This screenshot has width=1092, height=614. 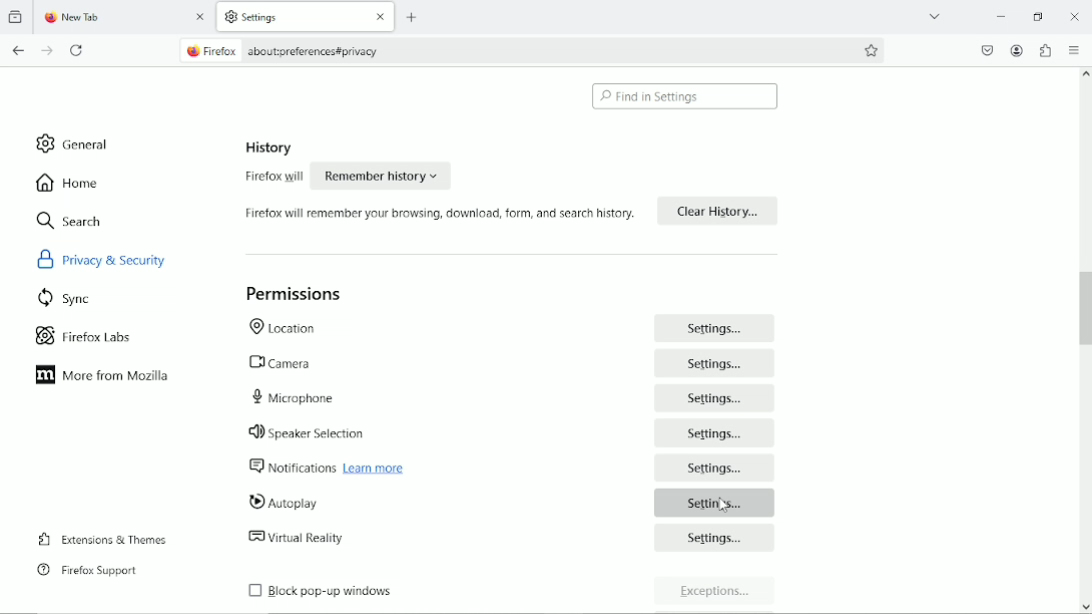 What do you see at coordinates (296, 294) in the screenshot?
I see `permissions` at bounding box center [296, 294].